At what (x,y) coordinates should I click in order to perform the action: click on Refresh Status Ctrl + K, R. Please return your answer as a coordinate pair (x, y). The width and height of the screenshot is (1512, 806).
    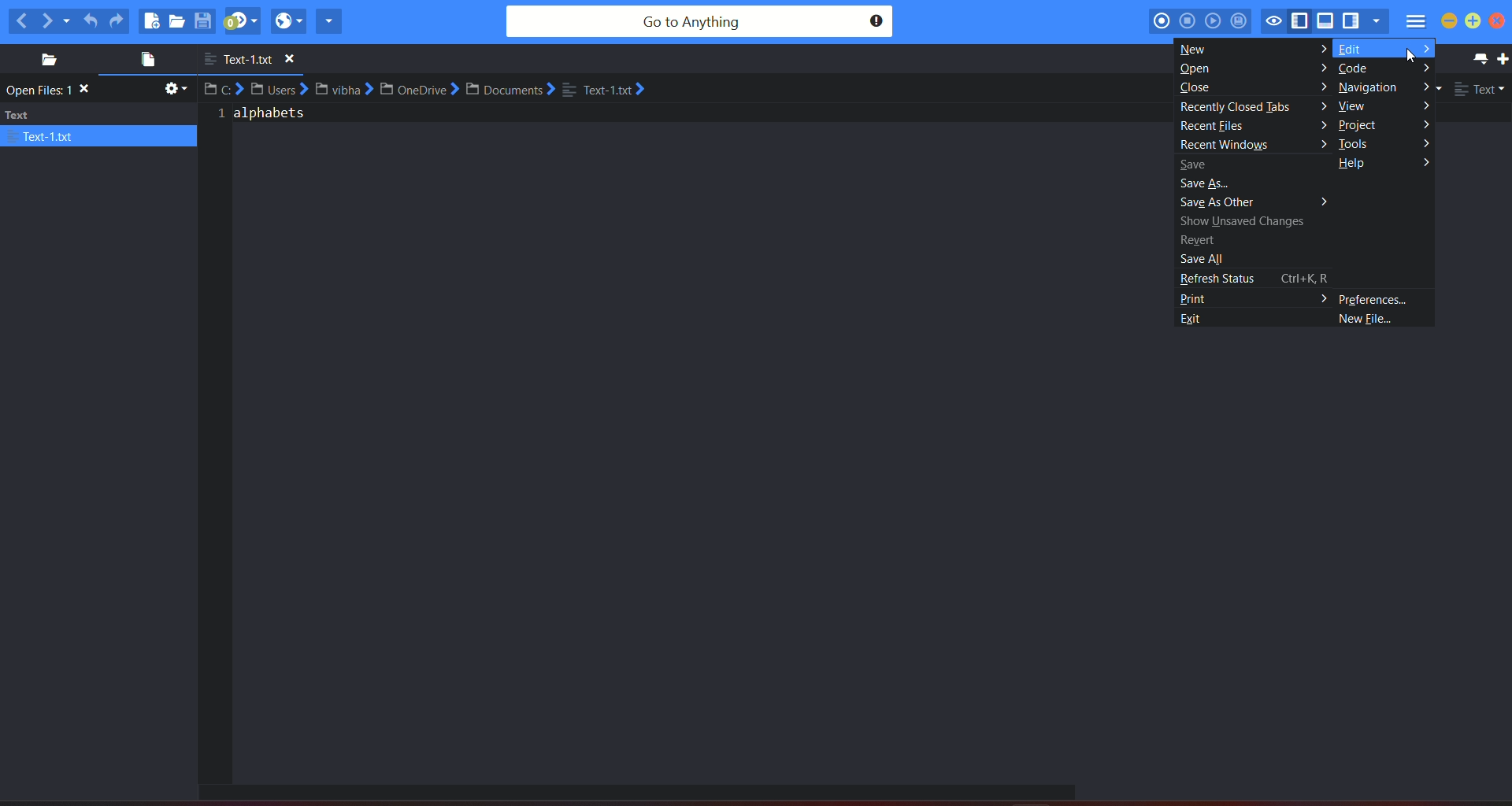
    Looking at the image, I should click on (1258, 278).